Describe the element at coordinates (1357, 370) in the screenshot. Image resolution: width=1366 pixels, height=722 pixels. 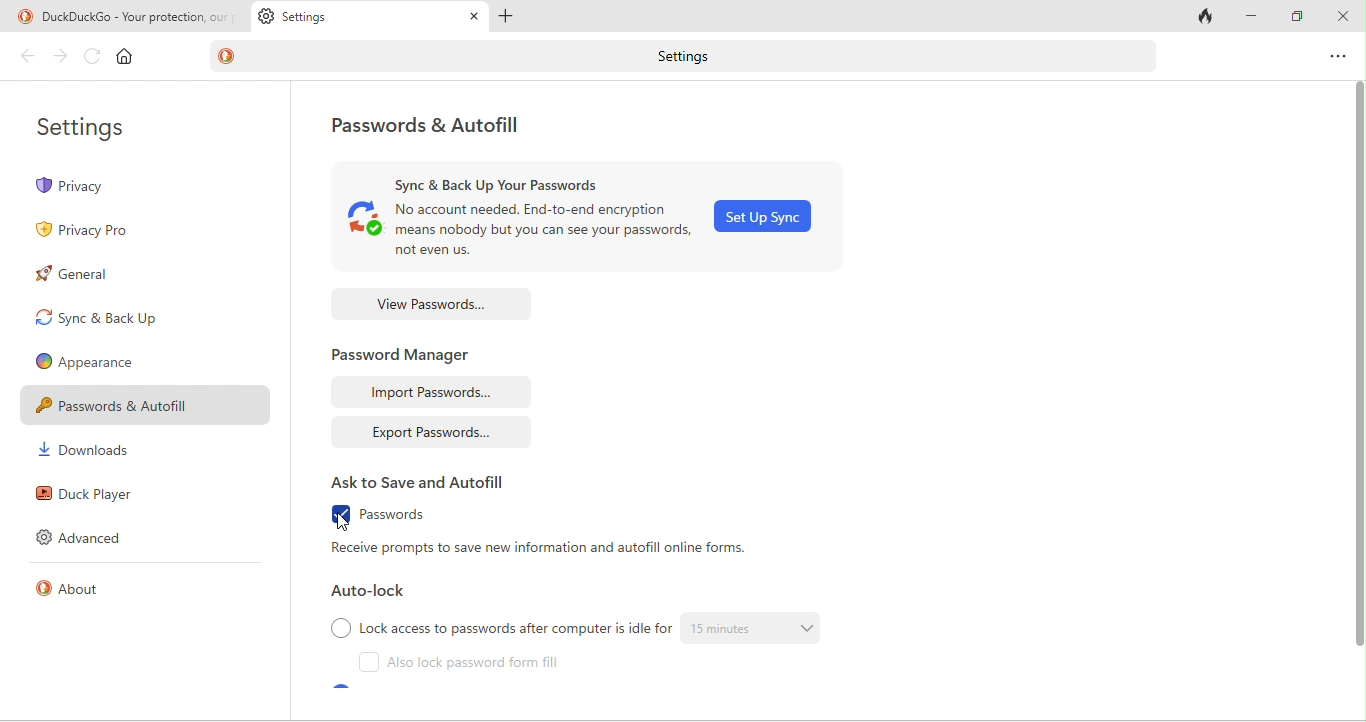
I see `vertical scroll bar` at that location.